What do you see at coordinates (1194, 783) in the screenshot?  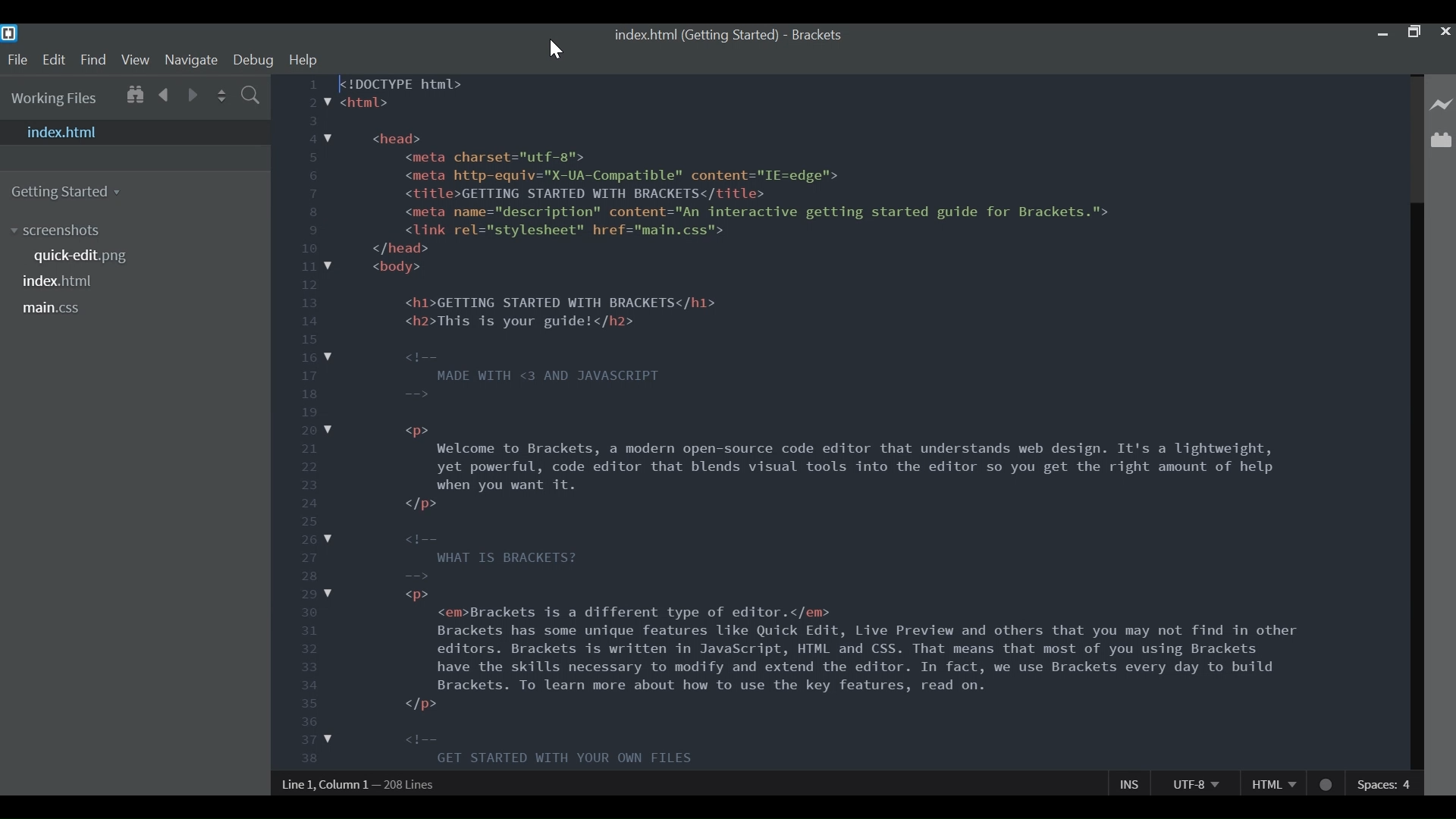 I see `UTF - 8` at bounding box center [1194, 783].